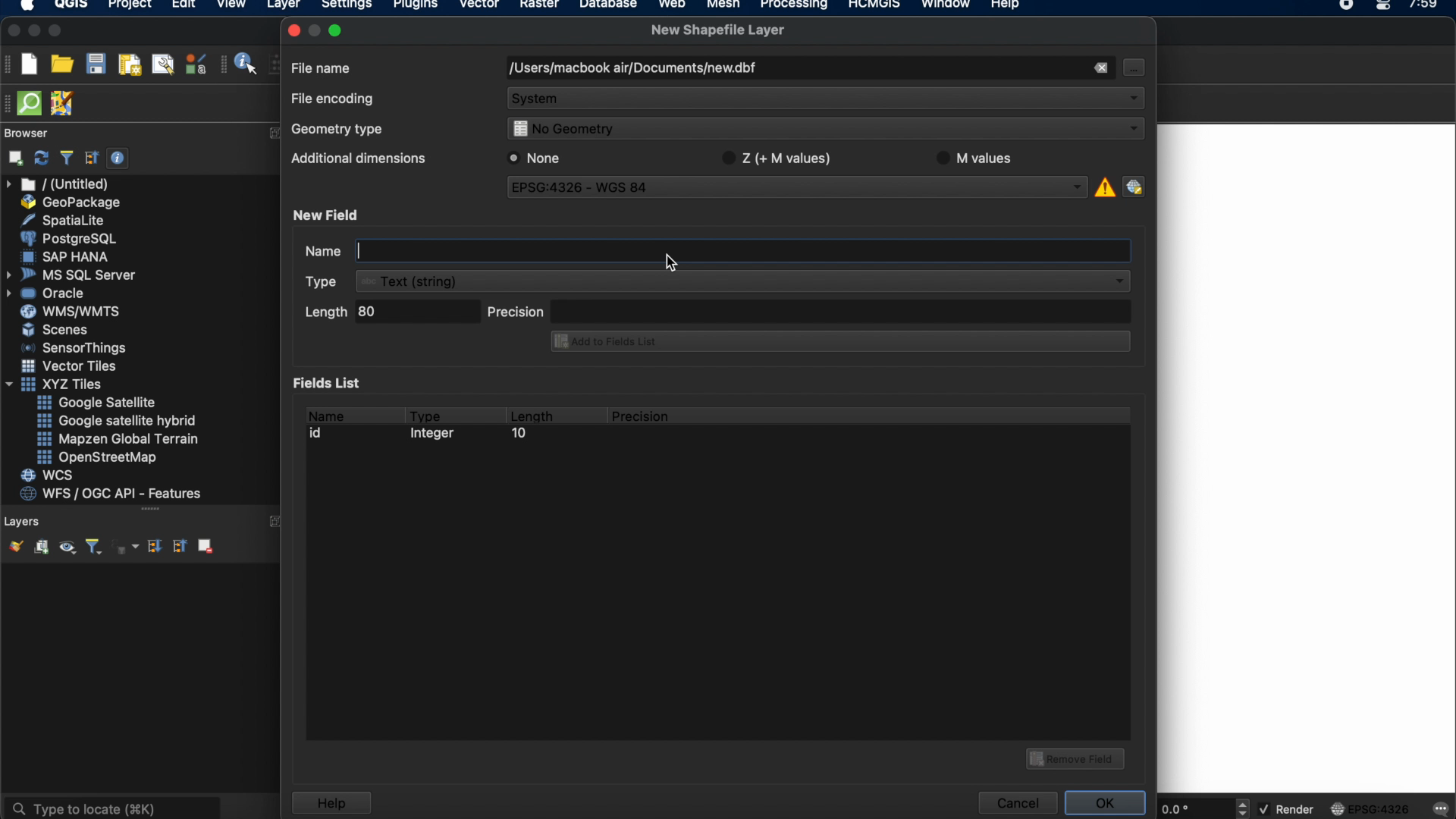 The image size is (1456, 819). I want to click on window, so click(949, 6).